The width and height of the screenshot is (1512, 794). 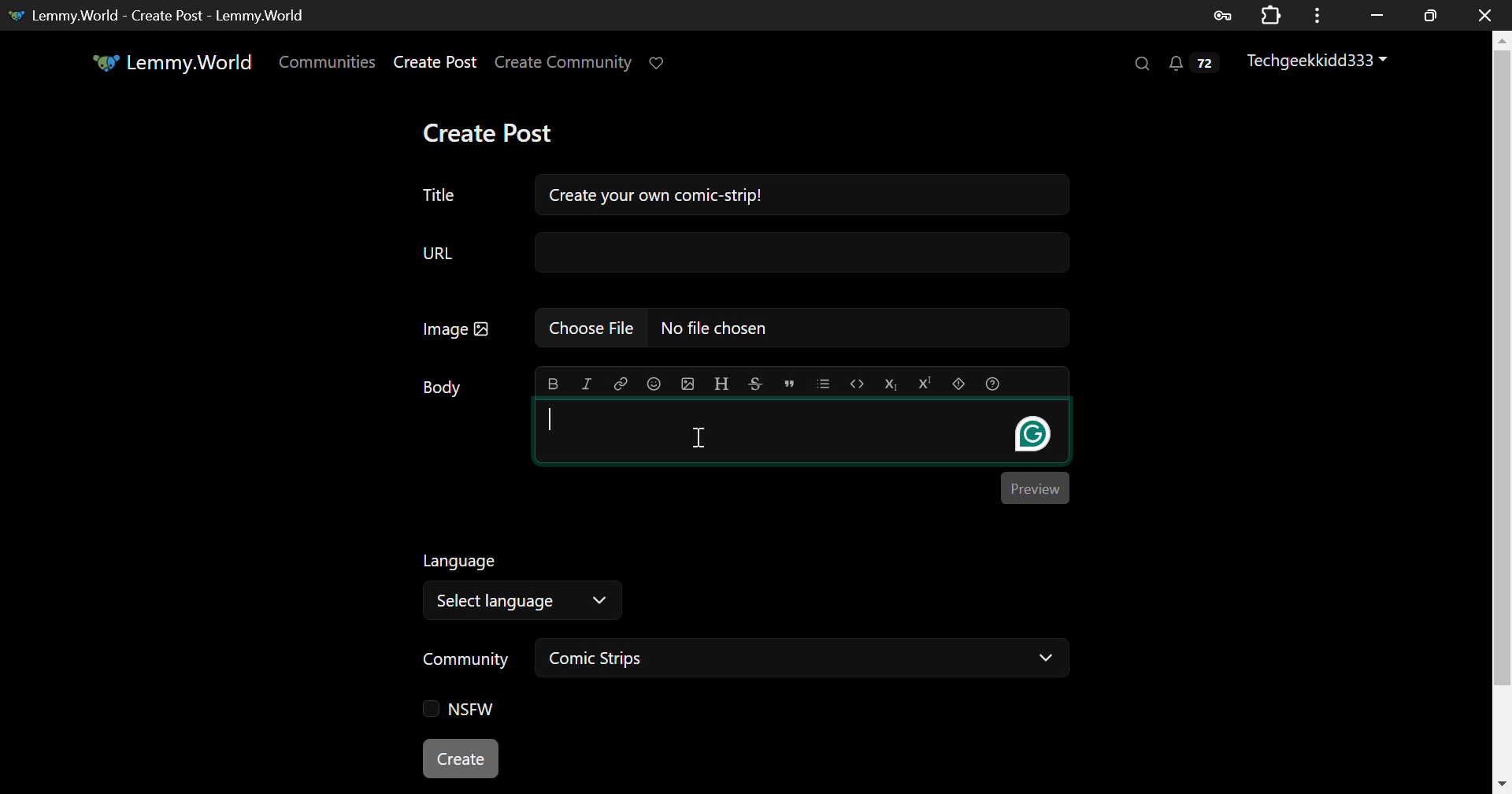 What do you see at coordinates (653, 385) in the screenshot?
I see `Insert Emoji` at bounding box center [653, 385].